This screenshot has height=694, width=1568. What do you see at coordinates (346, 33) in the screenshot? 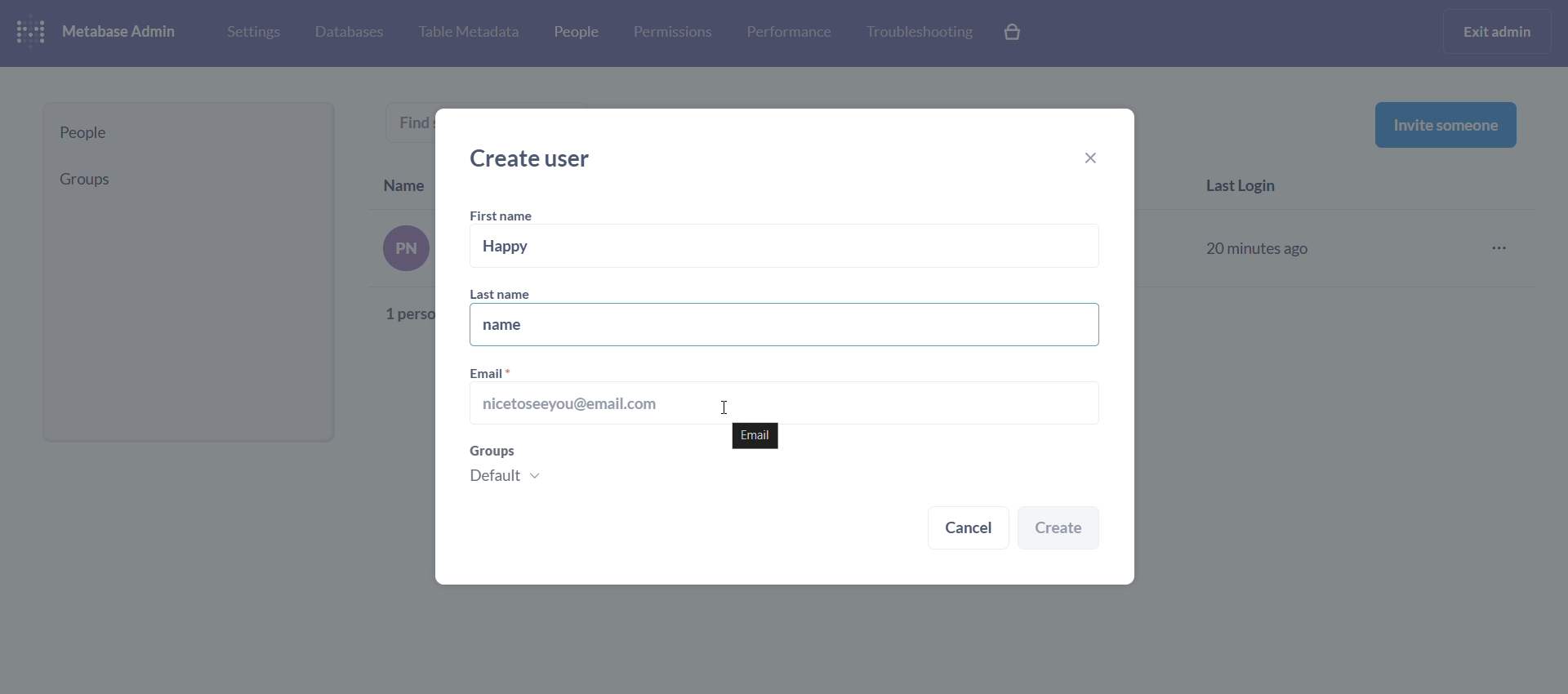
I see `database` at bounding box center [346, 33].